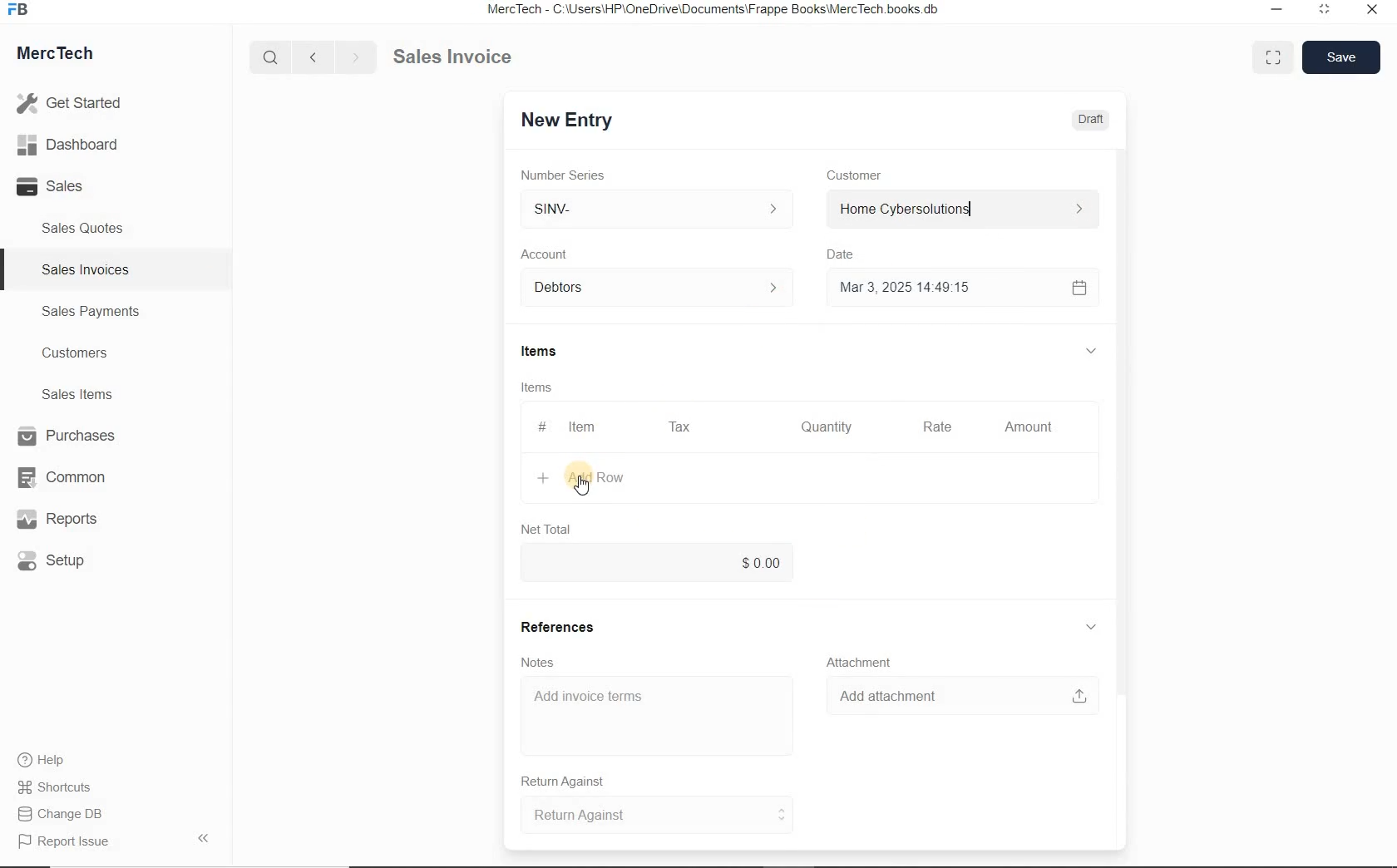 This screenshot has width=1397, height=868. Describe the element at coordinates (548, 254) in the screenshot. I see `Account` at that location.